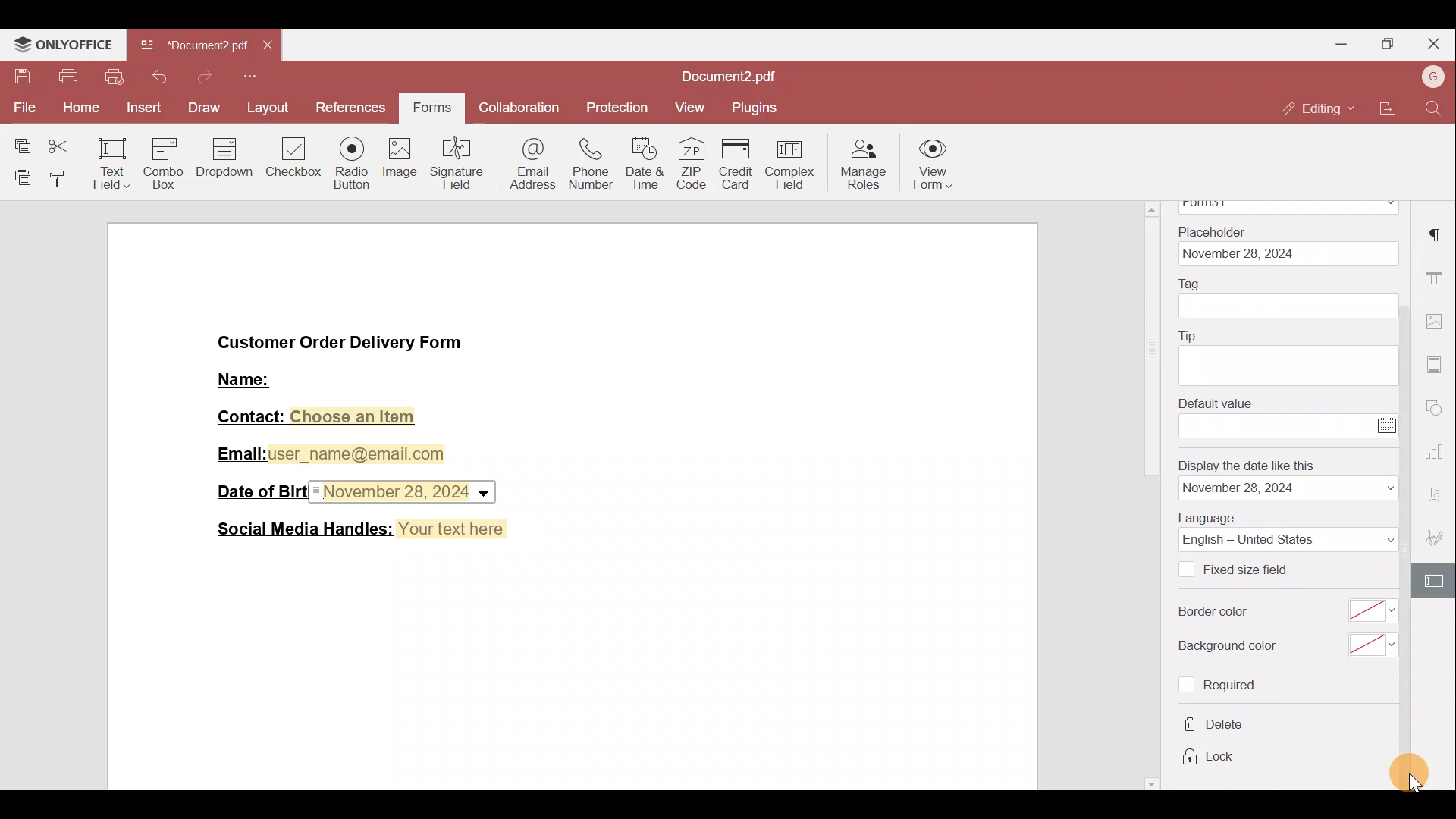 This screenshot has width=1456, height=819. Describe the element at coordinates (622, 108) in the screenshot. I see `Protection` at that location.